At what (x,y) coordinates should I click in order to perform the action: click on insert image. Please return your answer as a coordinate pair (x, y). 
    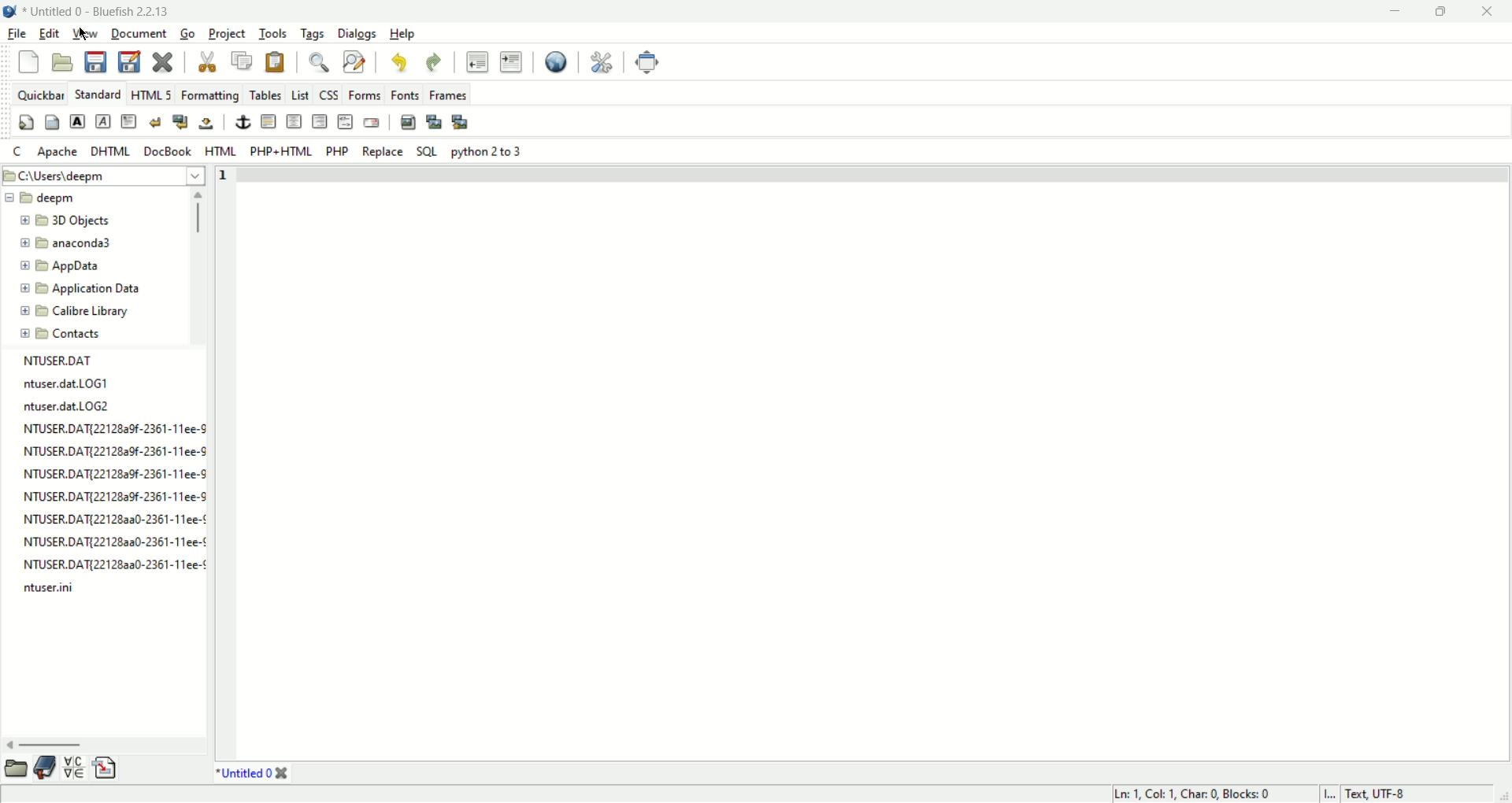
    Looking at the image, I should click on (408, 122).